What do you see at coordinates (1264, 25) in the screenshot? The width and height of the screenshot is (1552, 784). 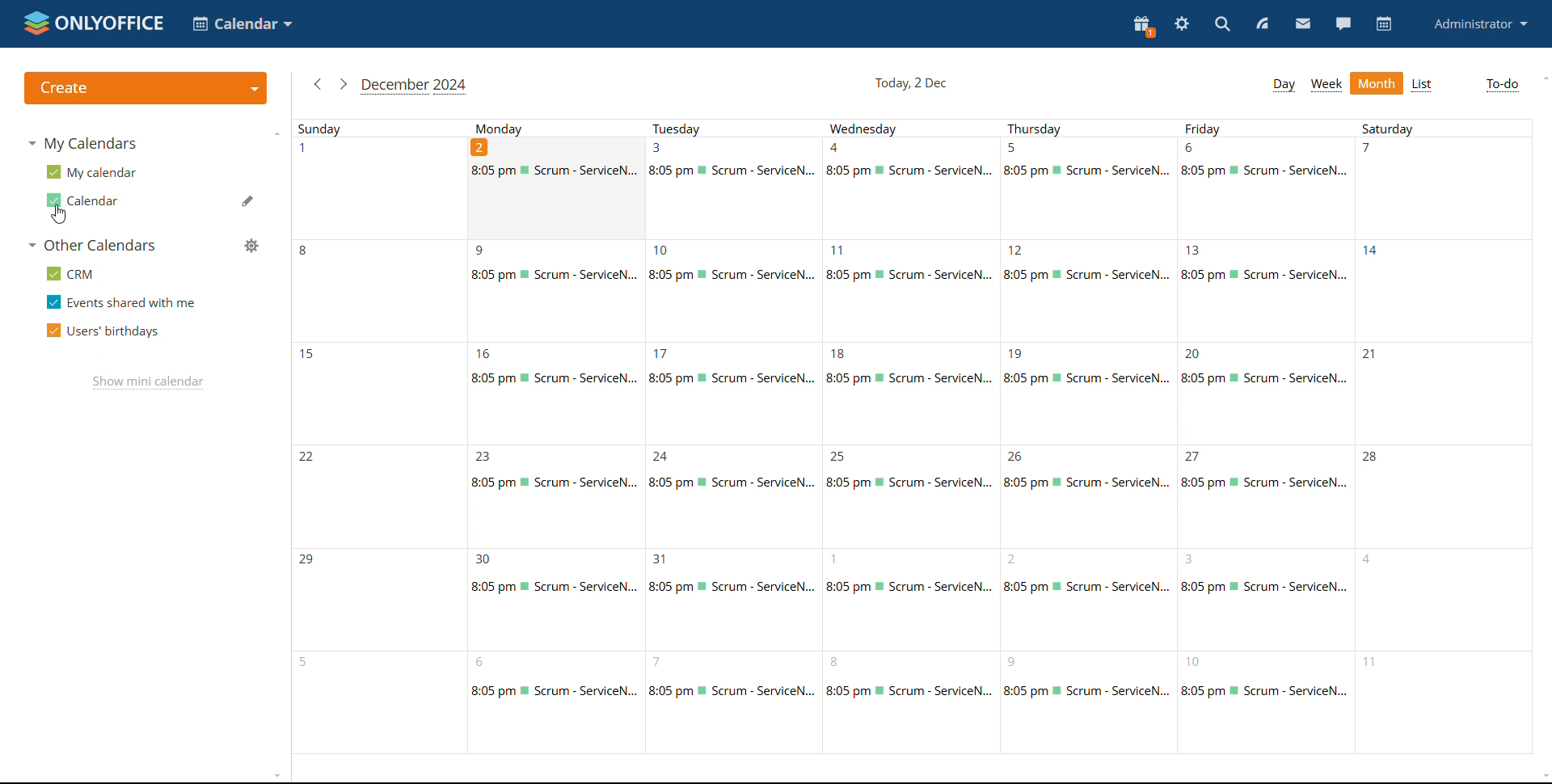 I see `feed` at bounding box center [1264, 25].